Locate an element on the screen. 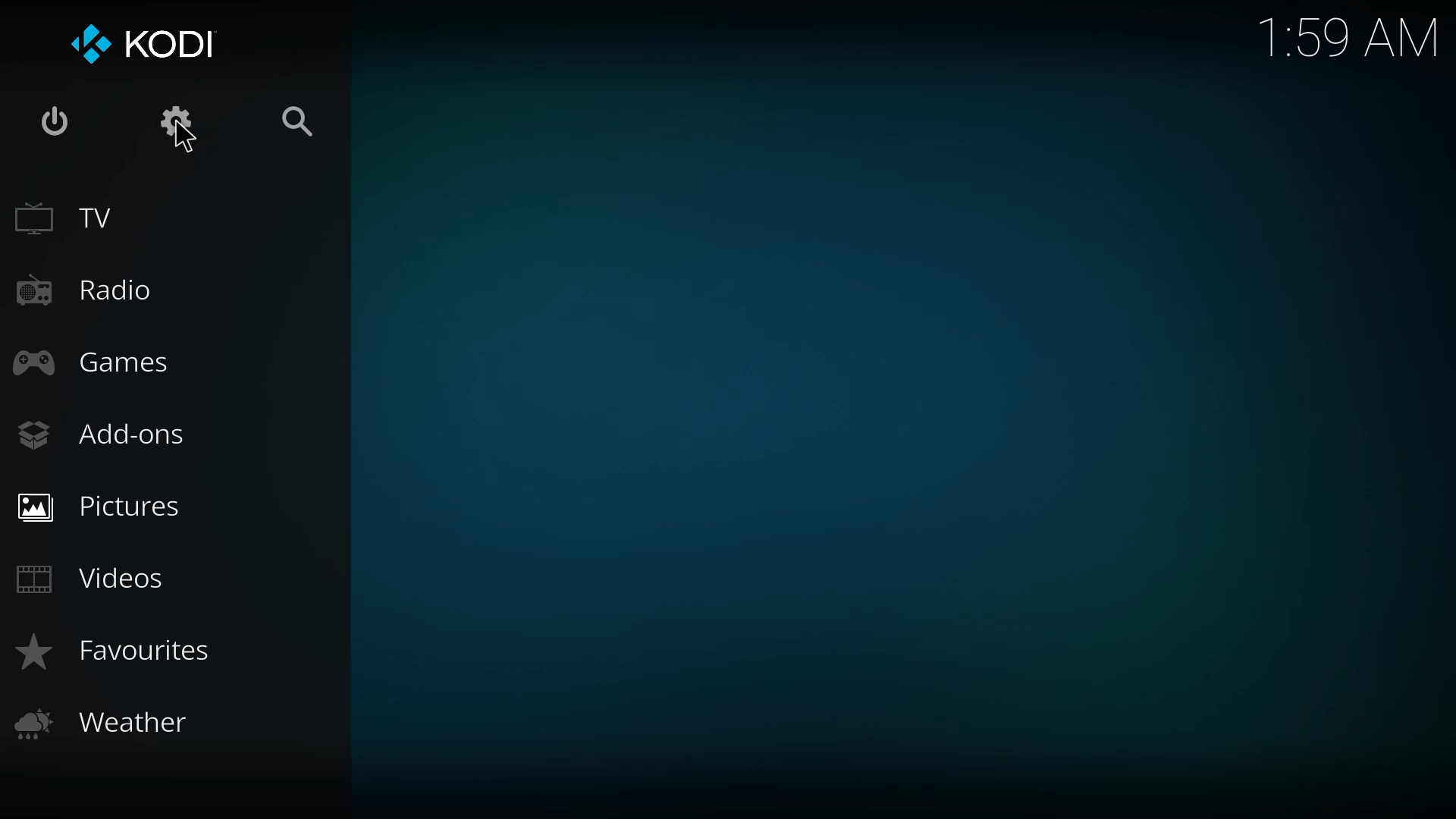 This screenshot has height=819, width=1456. time is located at coordinates (1348, 38).